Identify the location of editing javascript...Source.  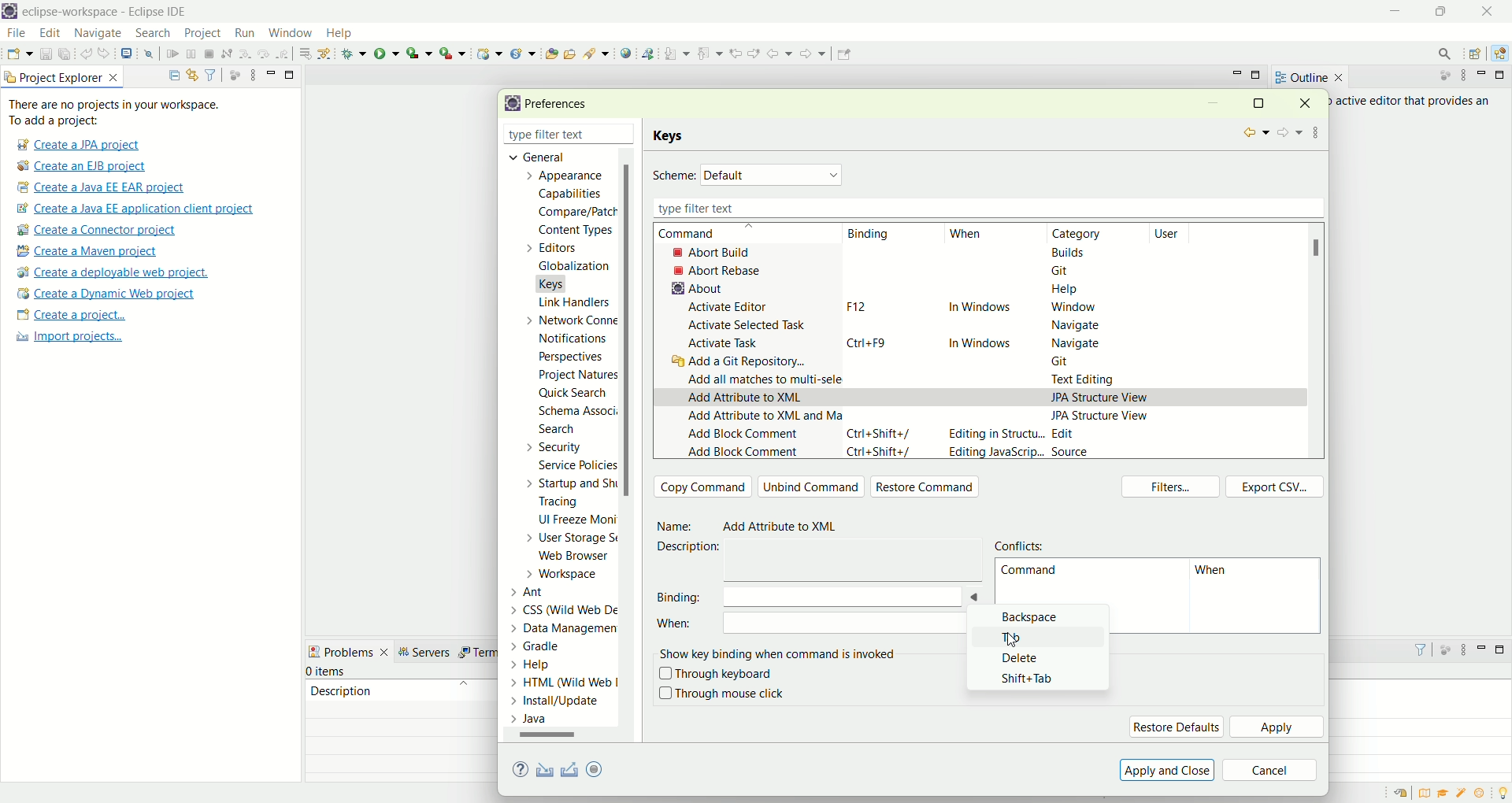
(1017, 453).